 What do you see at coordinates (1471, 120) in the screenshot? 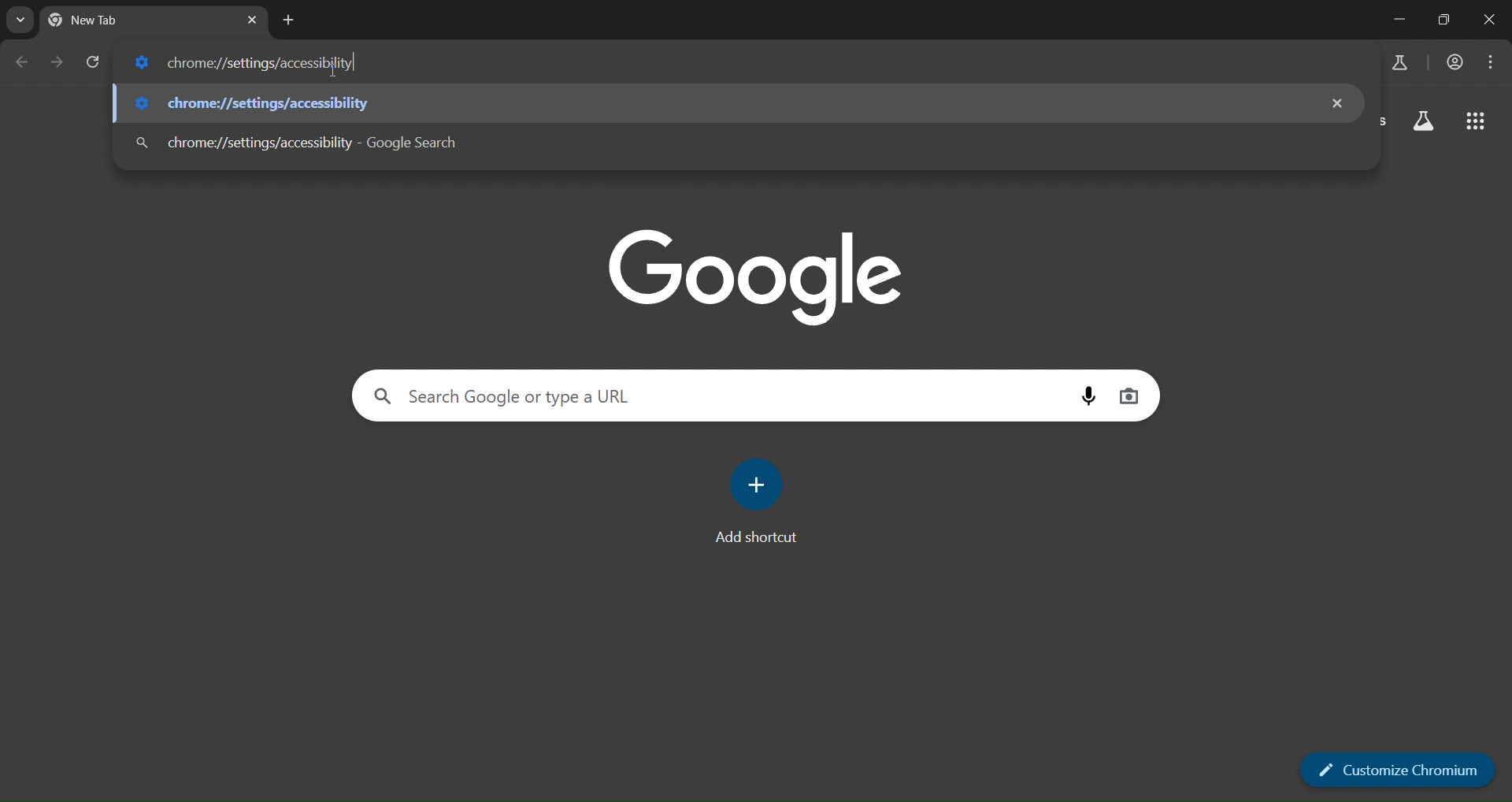
I see `google apps` at bounding box center [1471, 120].